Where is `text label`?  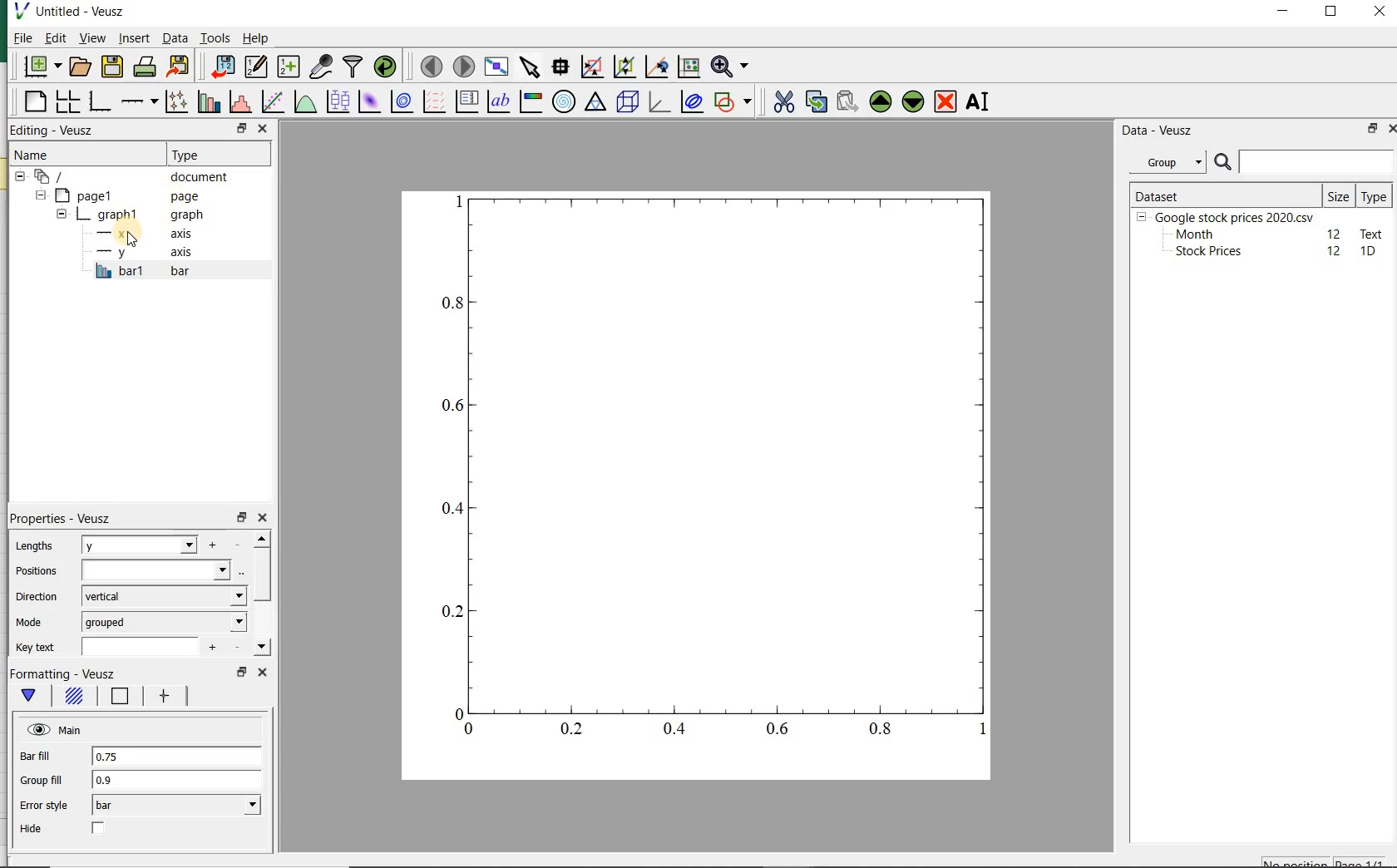 text label is located at coordinates (498, 103).